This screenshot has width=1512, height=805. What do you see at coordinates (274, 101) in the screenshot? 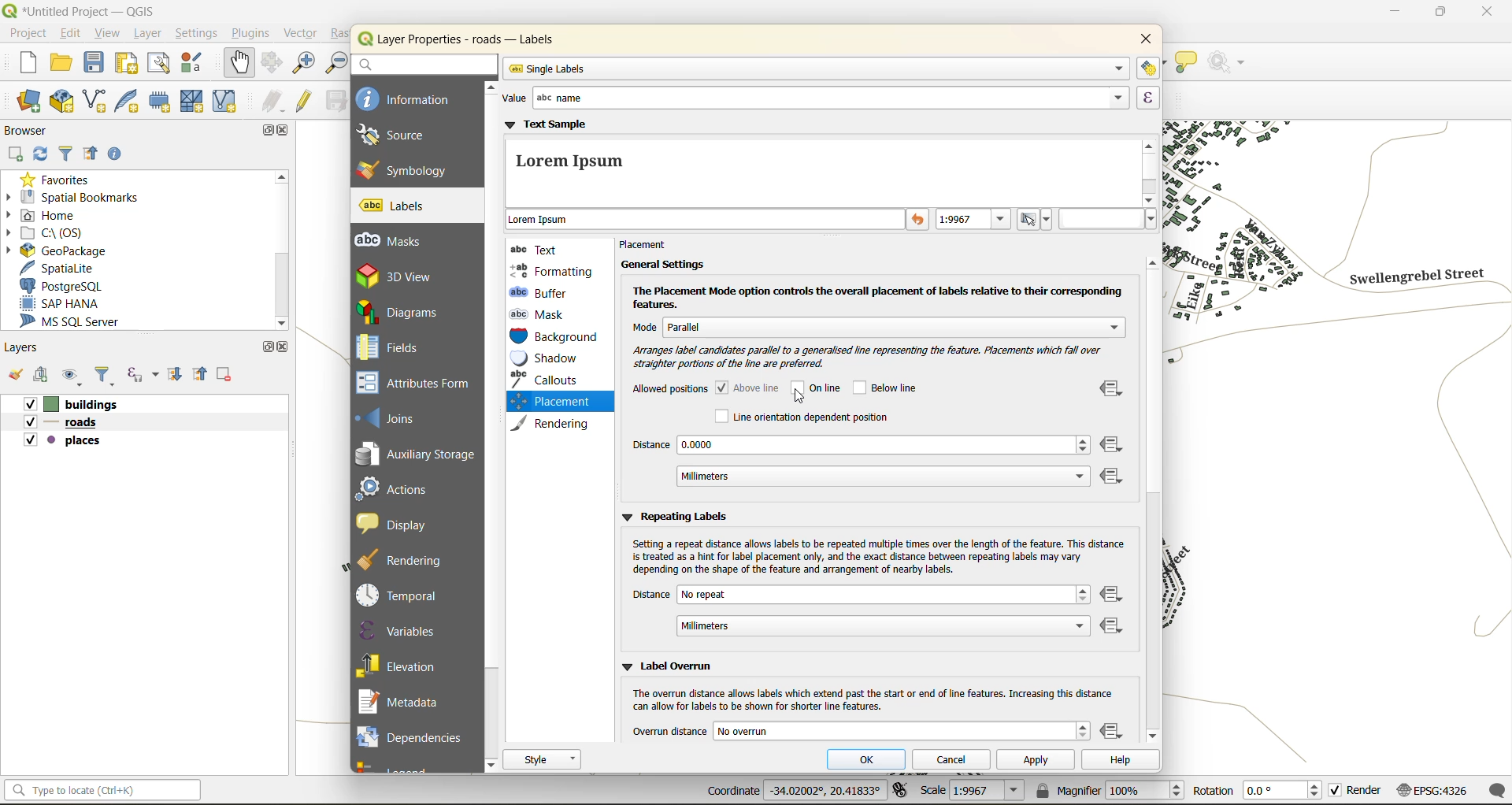
I see `edits` at bounding box center [274, 101].